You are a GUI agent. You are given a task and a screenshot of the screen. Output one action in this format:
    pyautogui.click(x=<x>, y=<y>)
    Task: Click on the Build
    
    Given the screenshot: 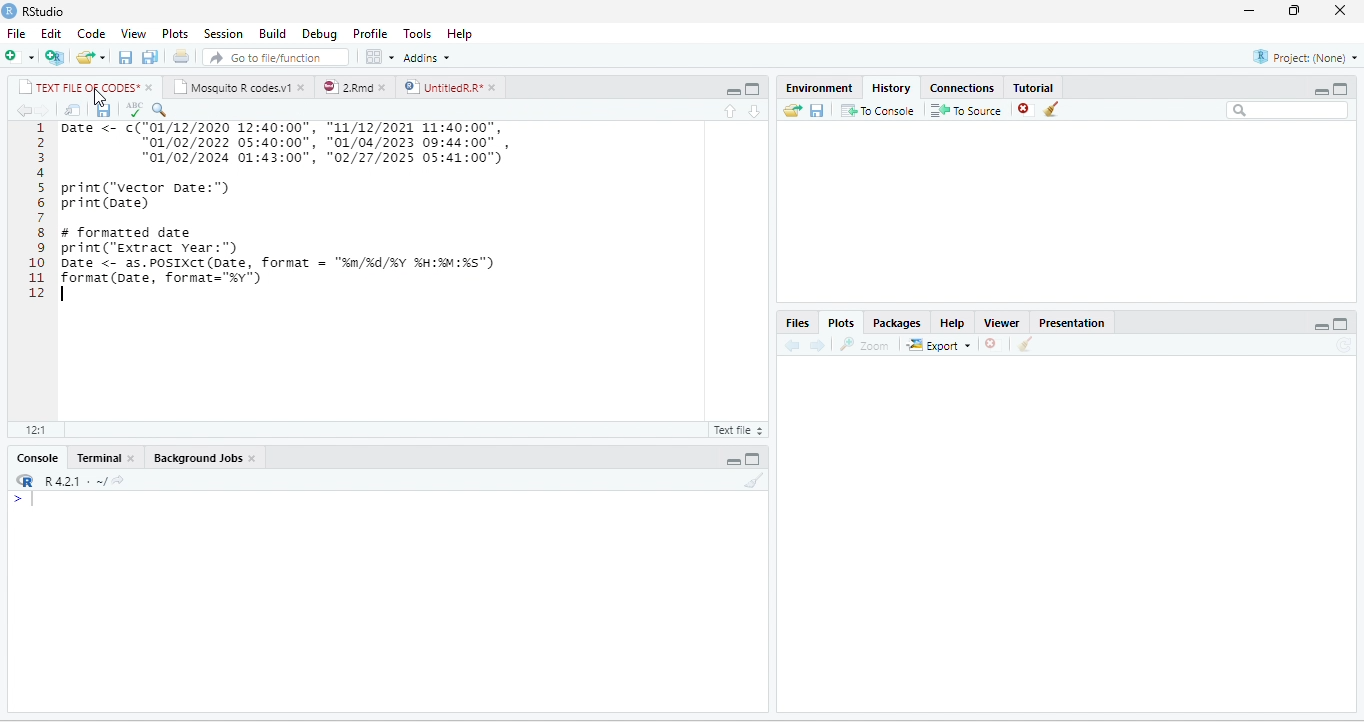 What is the action you would take?
    pyautogui.click(x=273, y=34)
    